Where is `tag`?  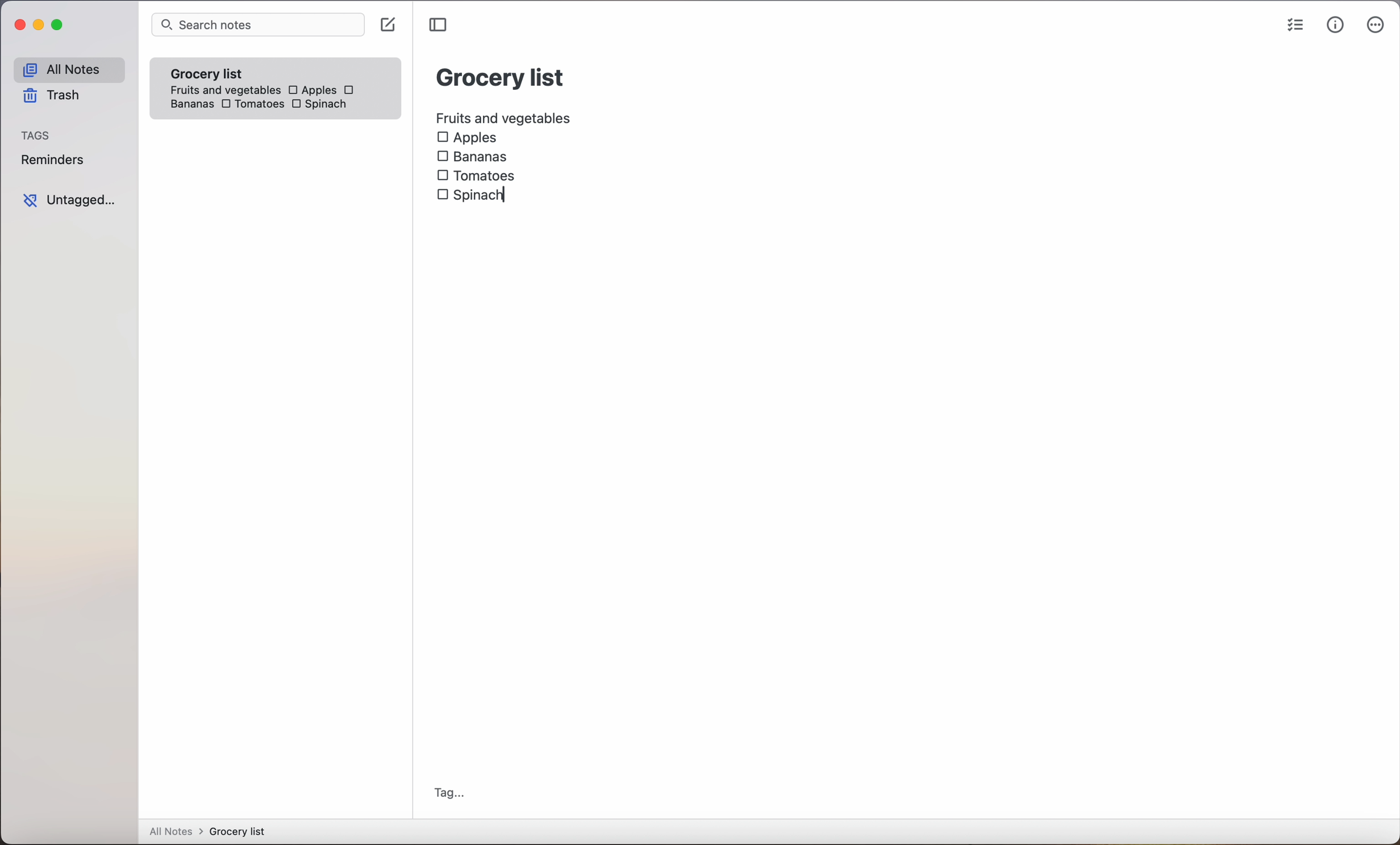
tag is located at coordinates (449, 793).